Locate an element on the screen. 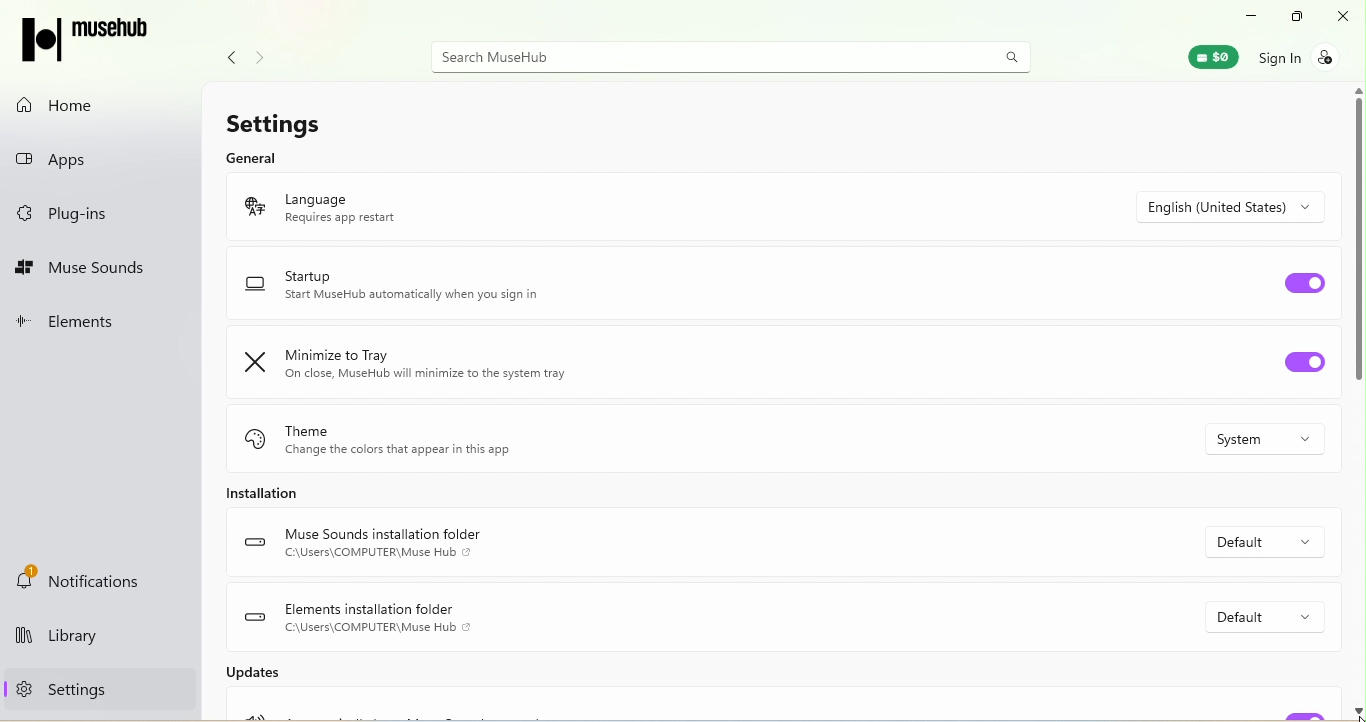 This screenshot has height=722, width=1366. Toggle button is located at coordinates (1303, 362).